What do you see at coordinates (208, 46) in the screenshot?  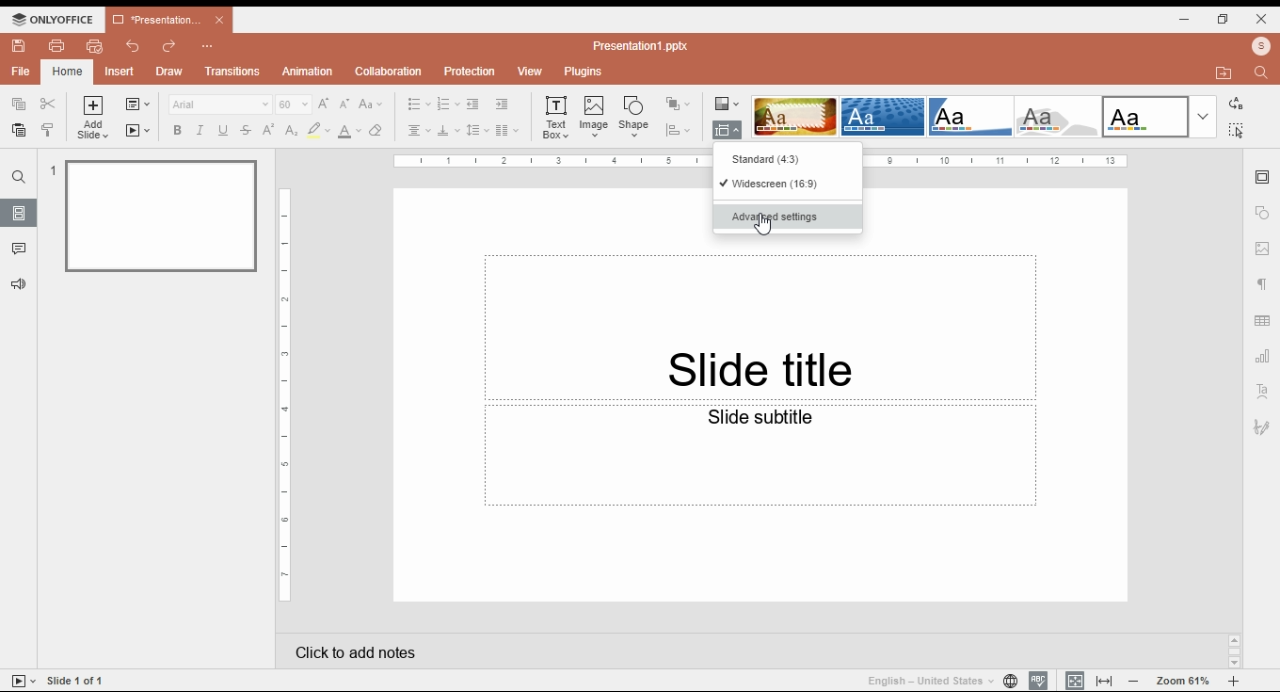 I see `Customize quick access` at bounding box center [208, 46].